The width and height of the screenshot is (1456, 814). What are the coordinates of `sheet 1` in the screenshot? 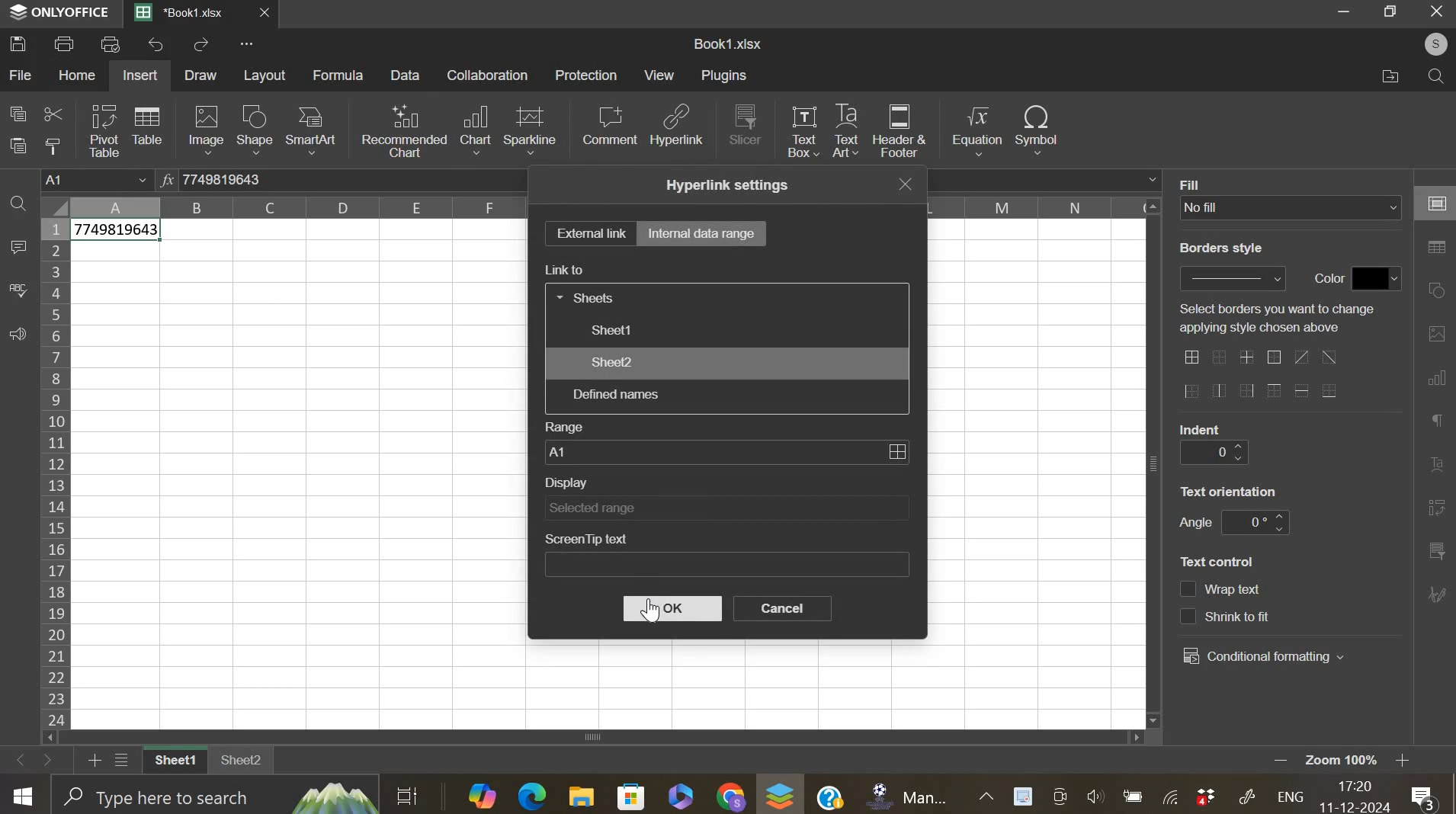 It's located at (172, 761).